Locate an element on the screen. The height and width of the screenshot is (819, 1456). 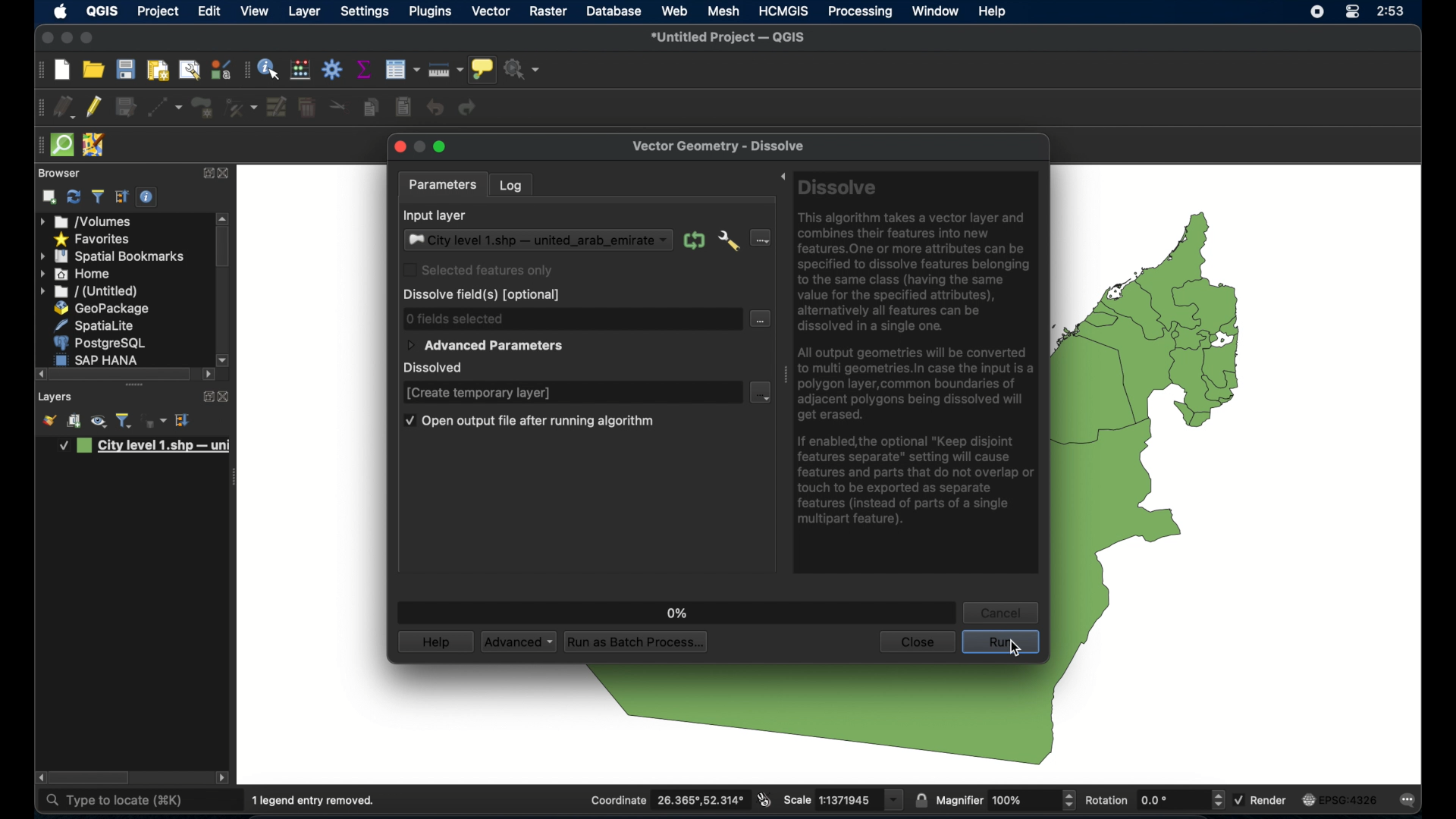
input layer is located at coordinates (435, 215).